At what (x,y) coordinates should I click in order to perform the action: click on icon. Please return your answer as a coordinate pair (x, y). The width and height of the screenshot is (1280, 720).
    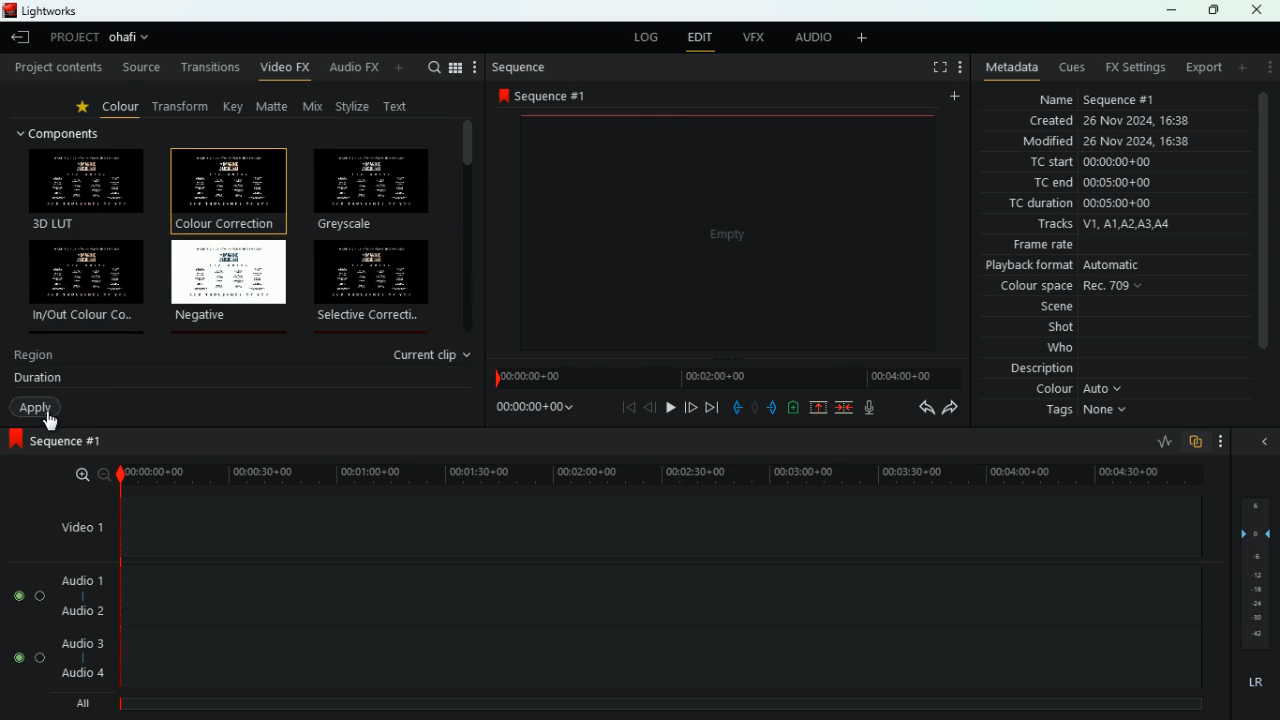
    Looking at the image, I should click on (14, 440).